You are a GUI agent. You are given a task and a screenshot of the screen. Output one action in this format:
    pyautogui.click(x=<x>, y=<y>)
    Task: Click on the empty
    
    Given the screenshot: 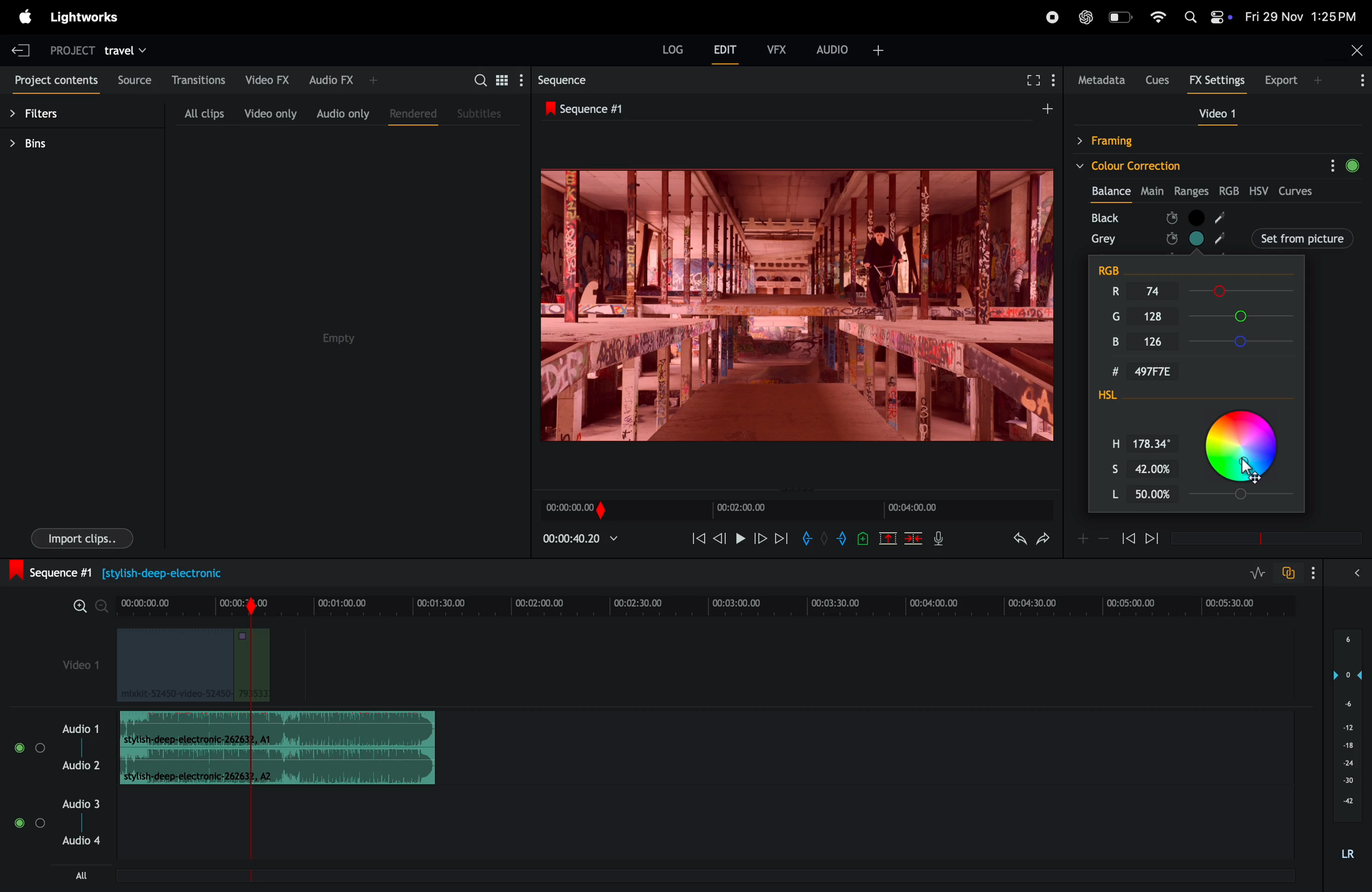 What is the action you would take?
    pyautogui.click(x=337, y=339)
    